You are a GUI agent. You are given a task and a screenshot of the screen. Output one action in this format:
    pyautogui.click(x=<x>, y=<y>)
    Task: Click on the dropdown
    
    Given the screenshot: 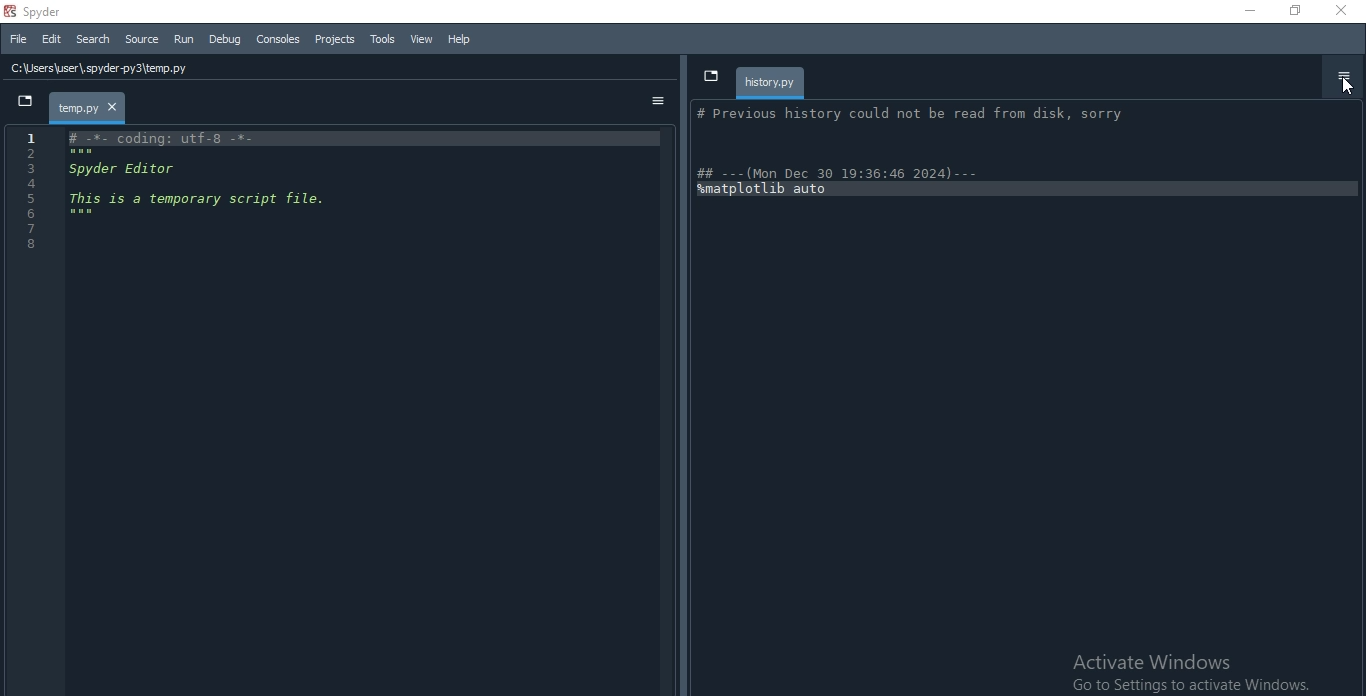 What is the action you would take?
    pyautogui.click(x=20, y=101)
    